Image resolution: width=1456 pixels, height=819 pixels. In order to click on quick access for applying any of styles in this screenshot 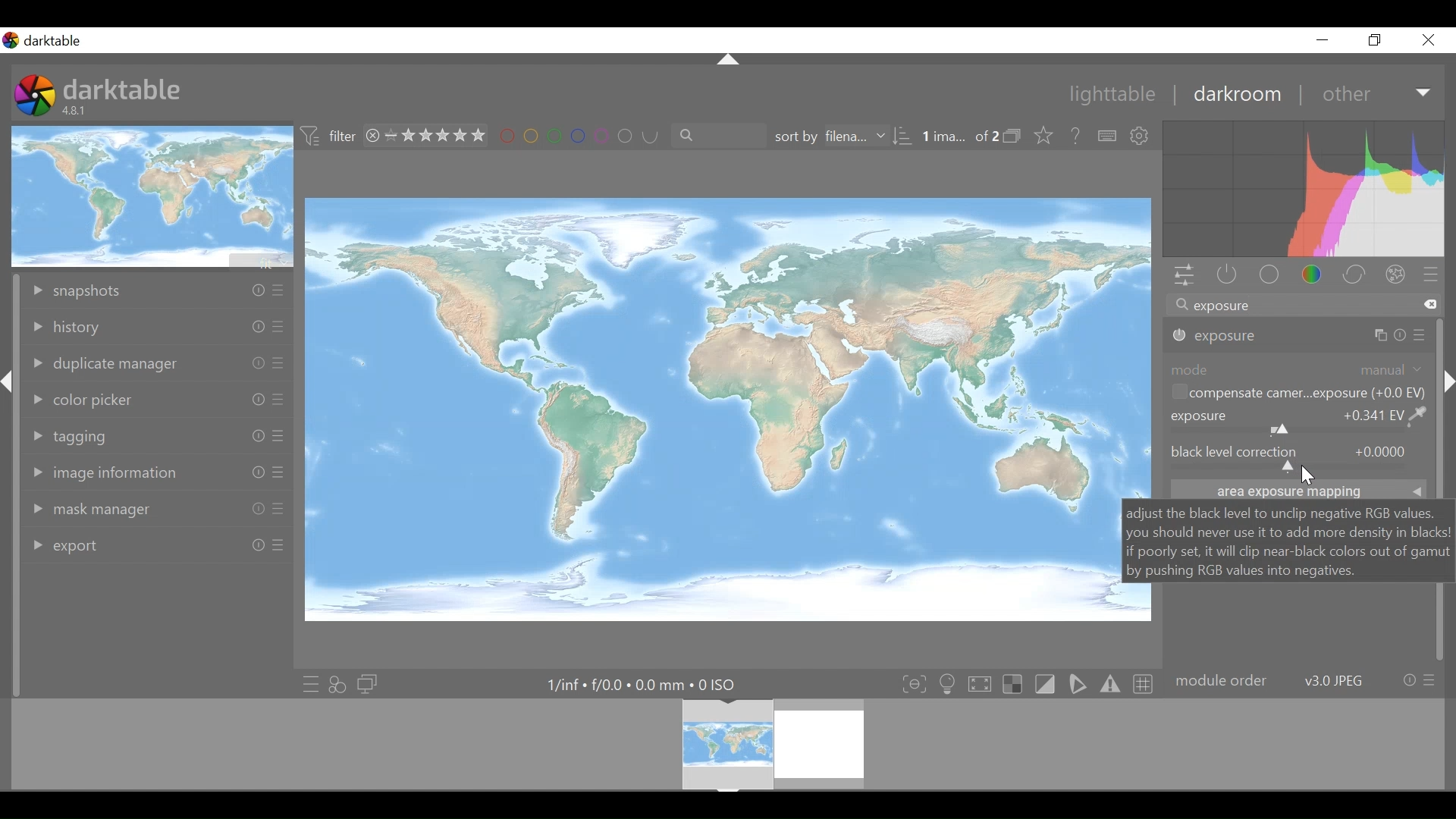, I will do `click(337, 682)`.